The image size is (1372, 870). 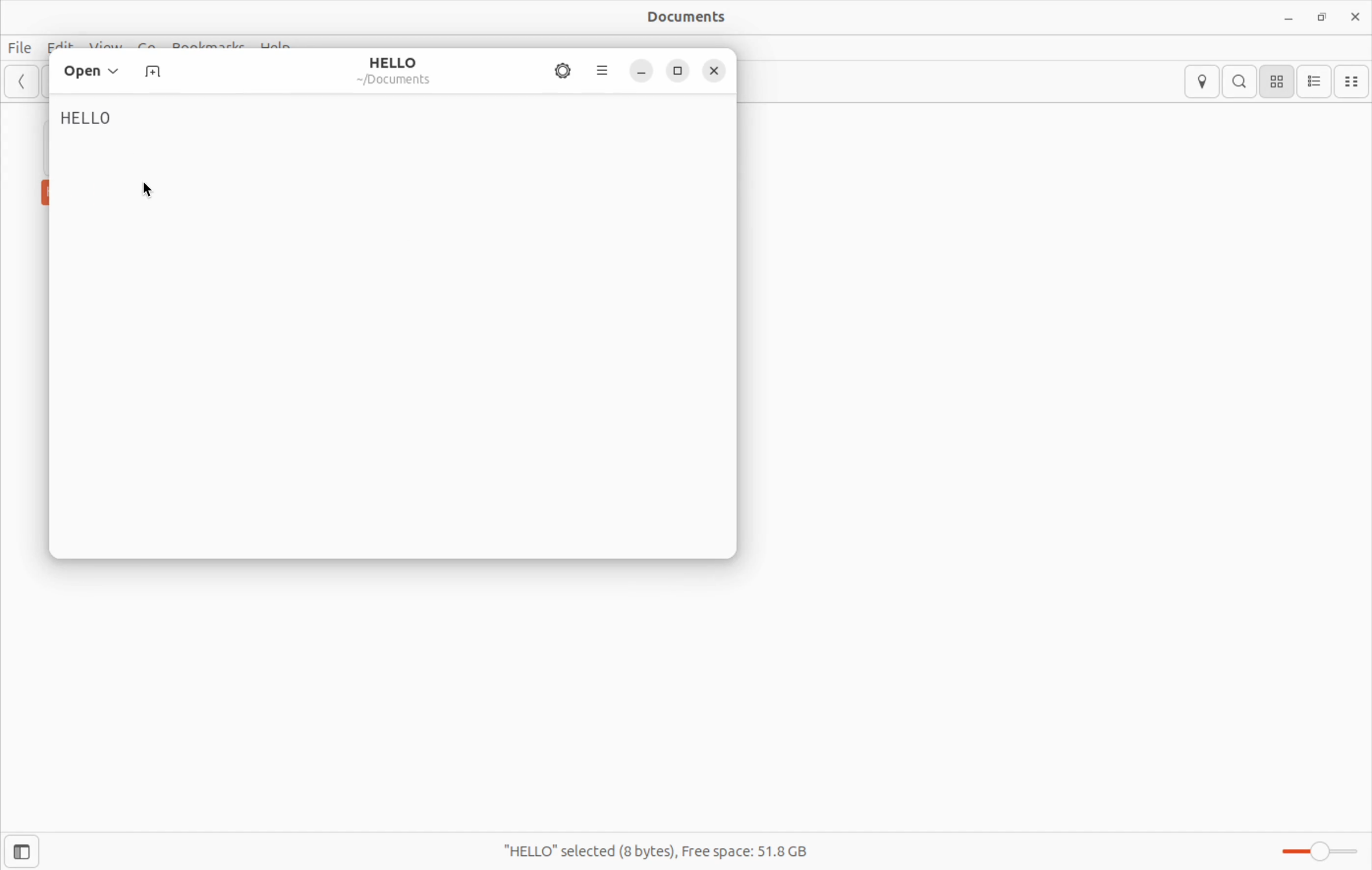 What do you see at coordinates (26, 89) in the screenshot?
I see `Back` at bounding box center [26, 89].